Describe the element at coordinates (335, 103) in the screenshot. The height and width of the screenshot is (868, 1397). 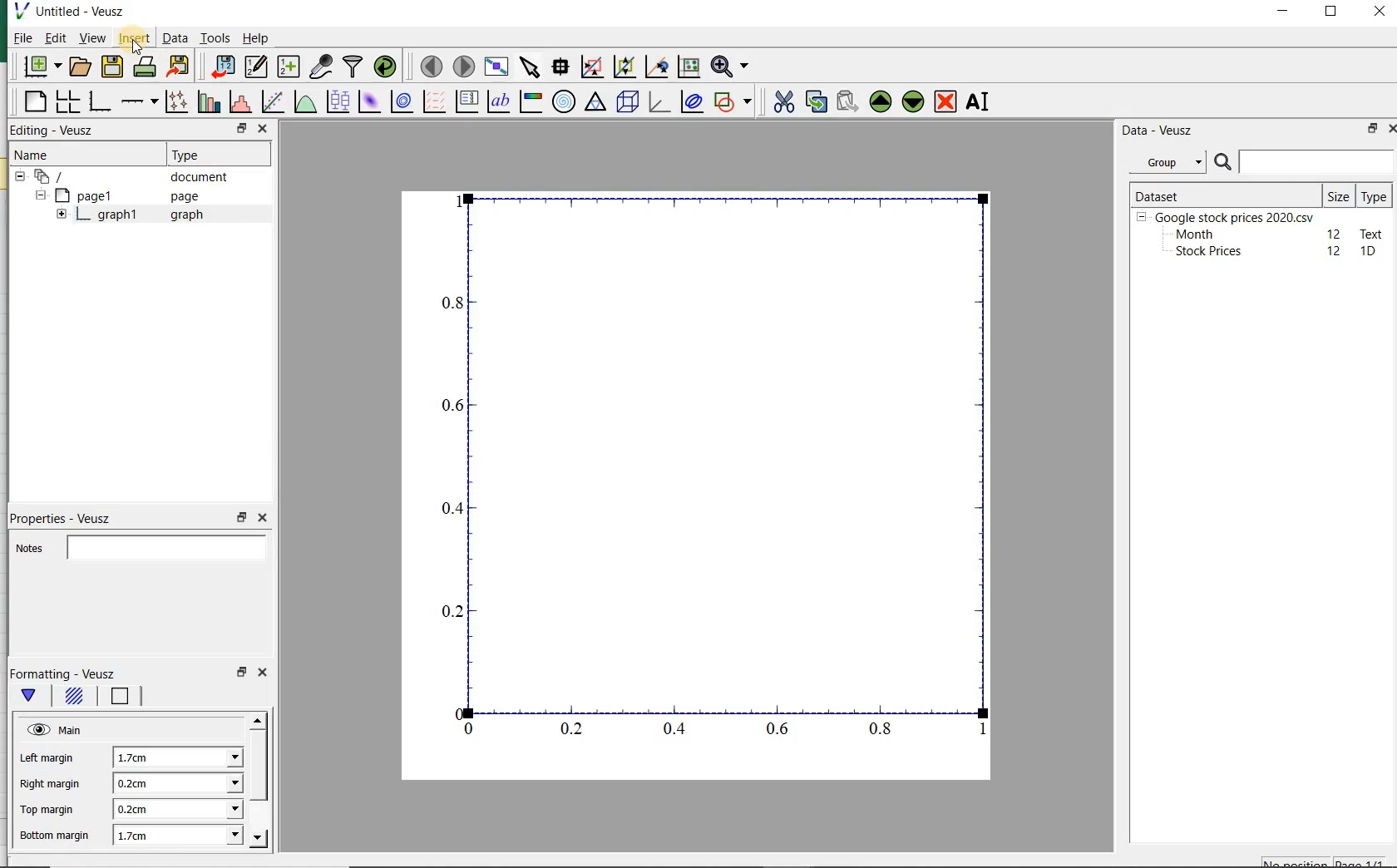
I see `plot box plots` at that location.